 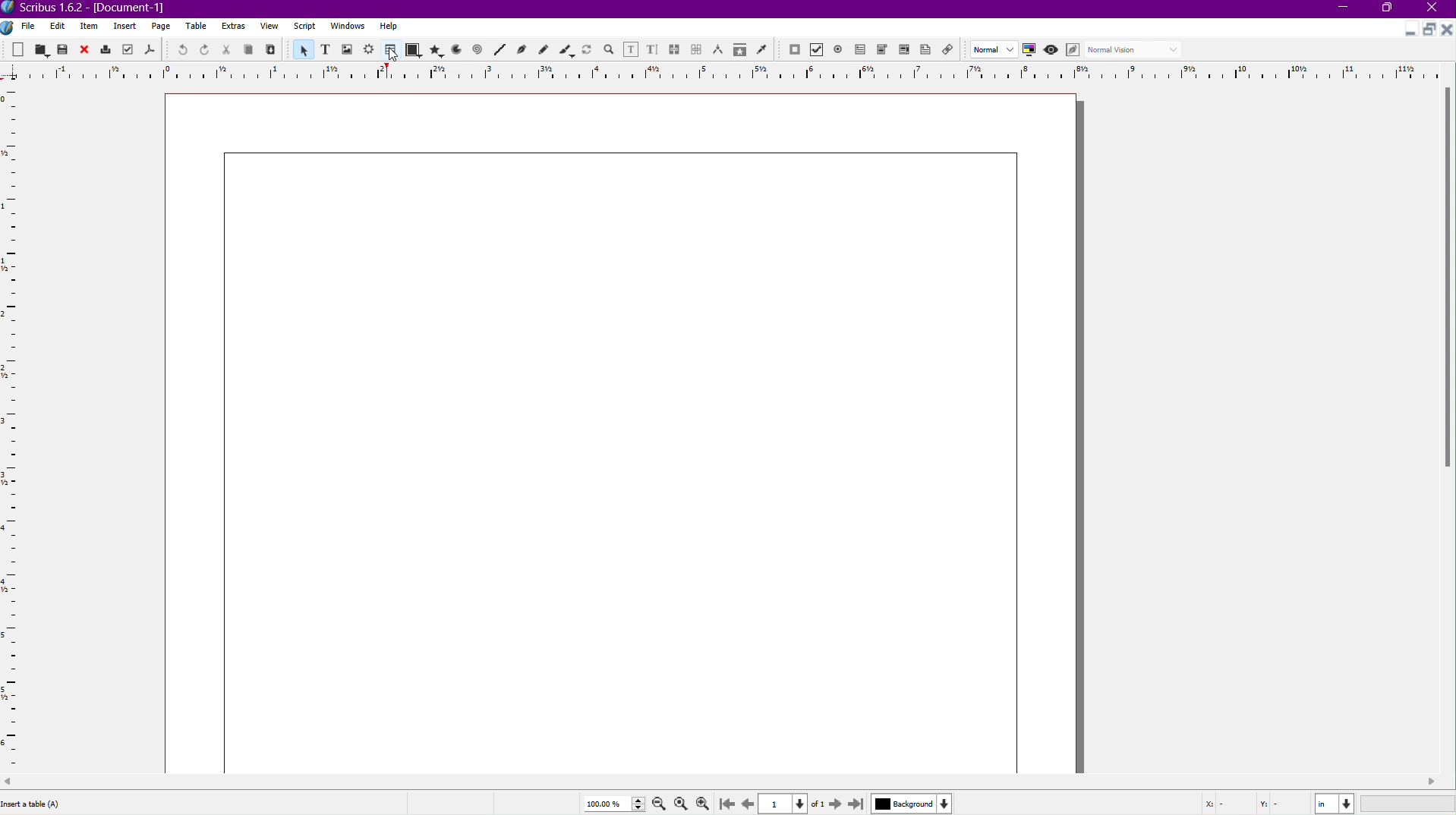 I want to click on Zoom In, so click(x=706, y=803).